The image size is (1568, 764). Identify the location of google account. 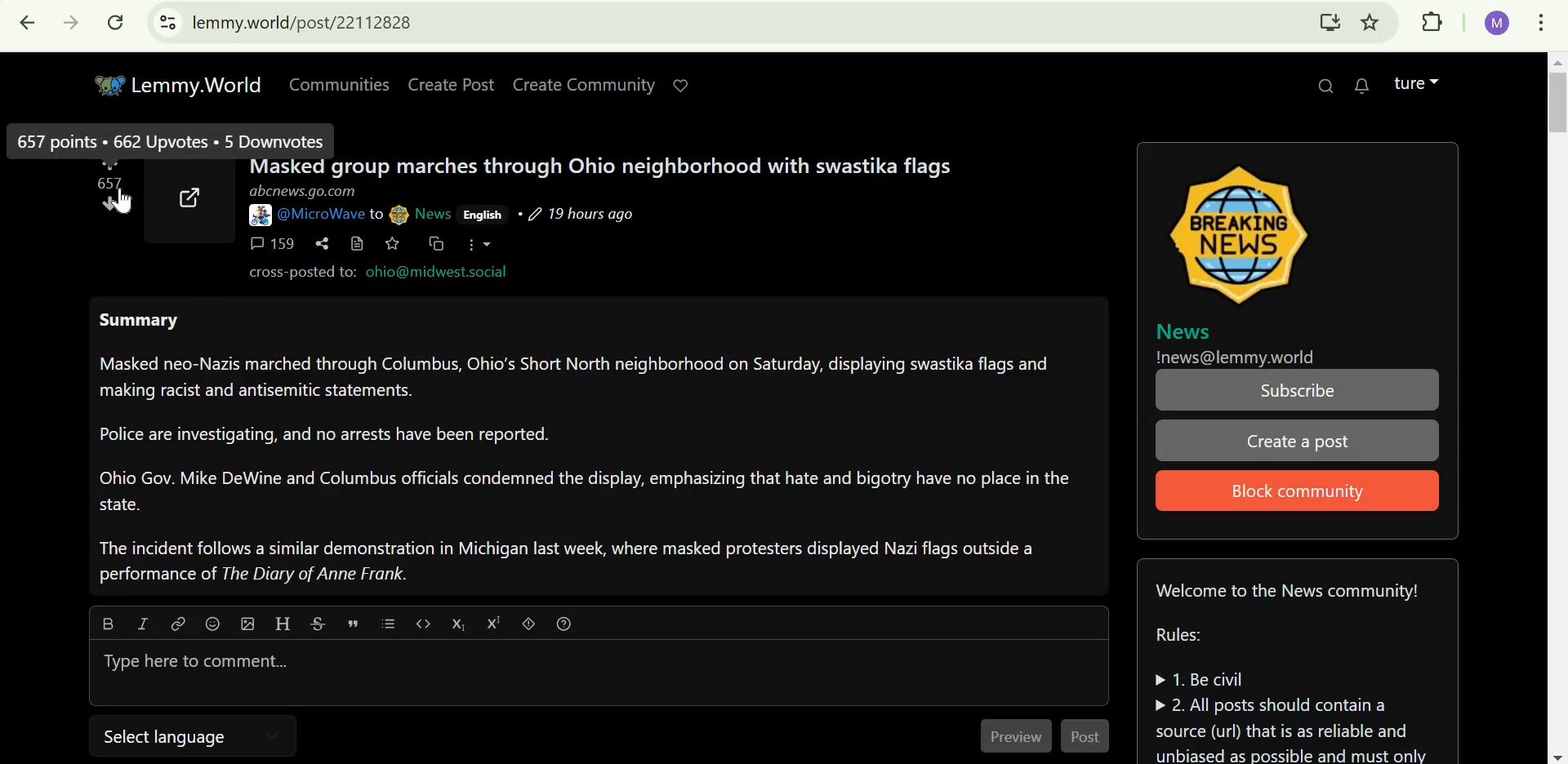
(1495, 24).